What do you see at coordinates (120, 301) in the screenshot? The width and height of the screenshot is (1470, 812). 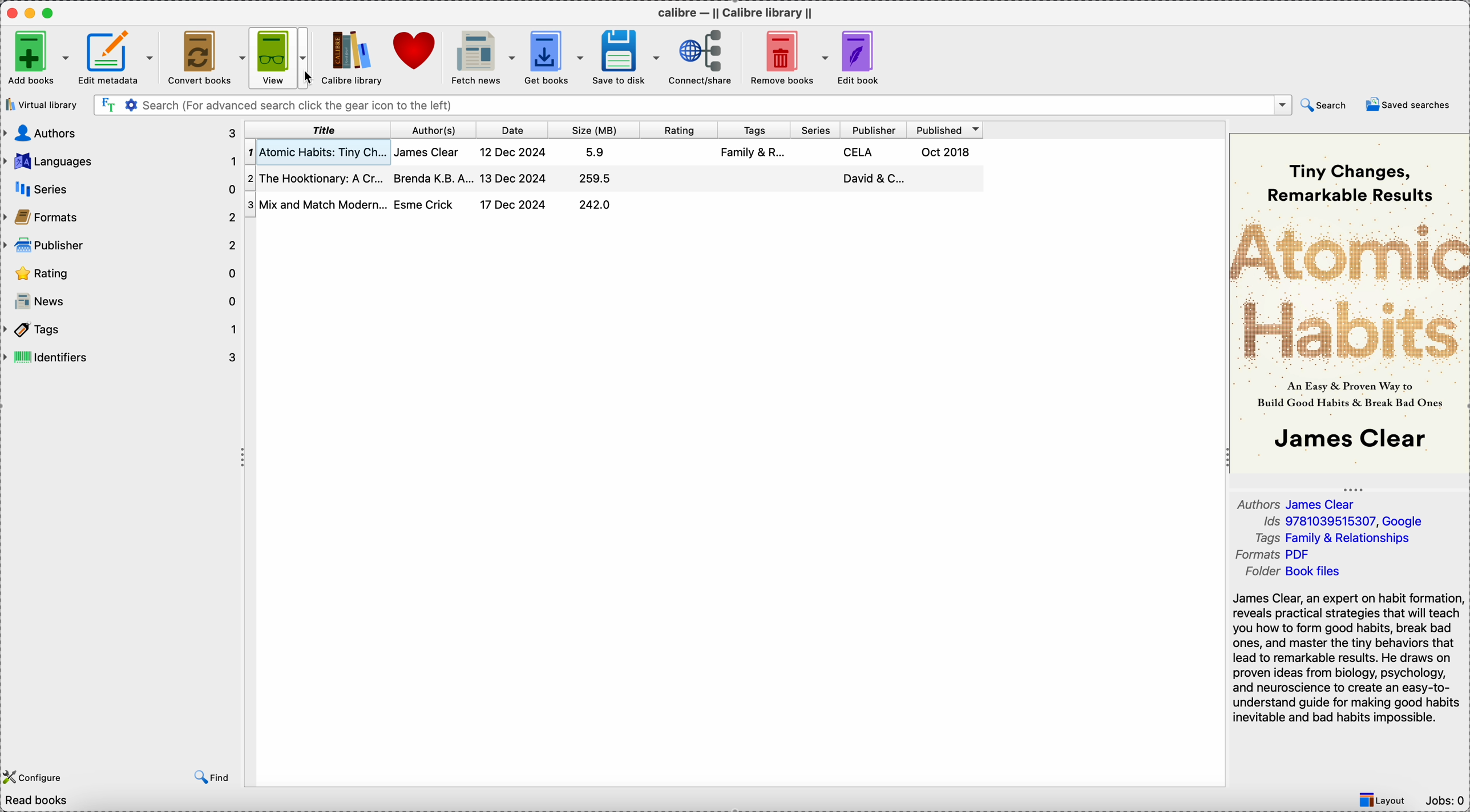 I see `news` at bounding box center [120, 301].